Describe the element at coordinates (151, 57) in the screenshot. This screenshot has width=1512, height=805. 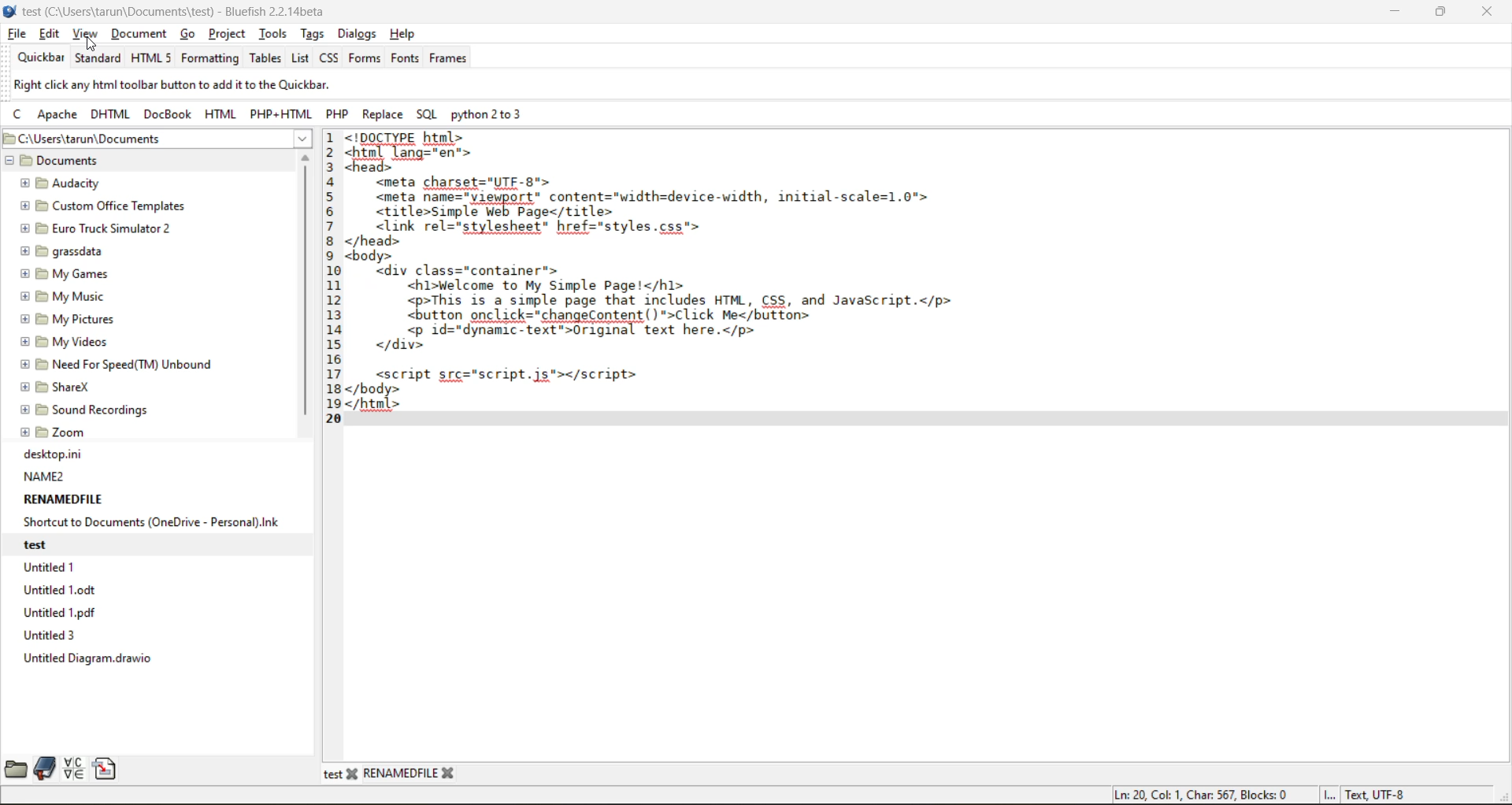
I see `html` at that location.